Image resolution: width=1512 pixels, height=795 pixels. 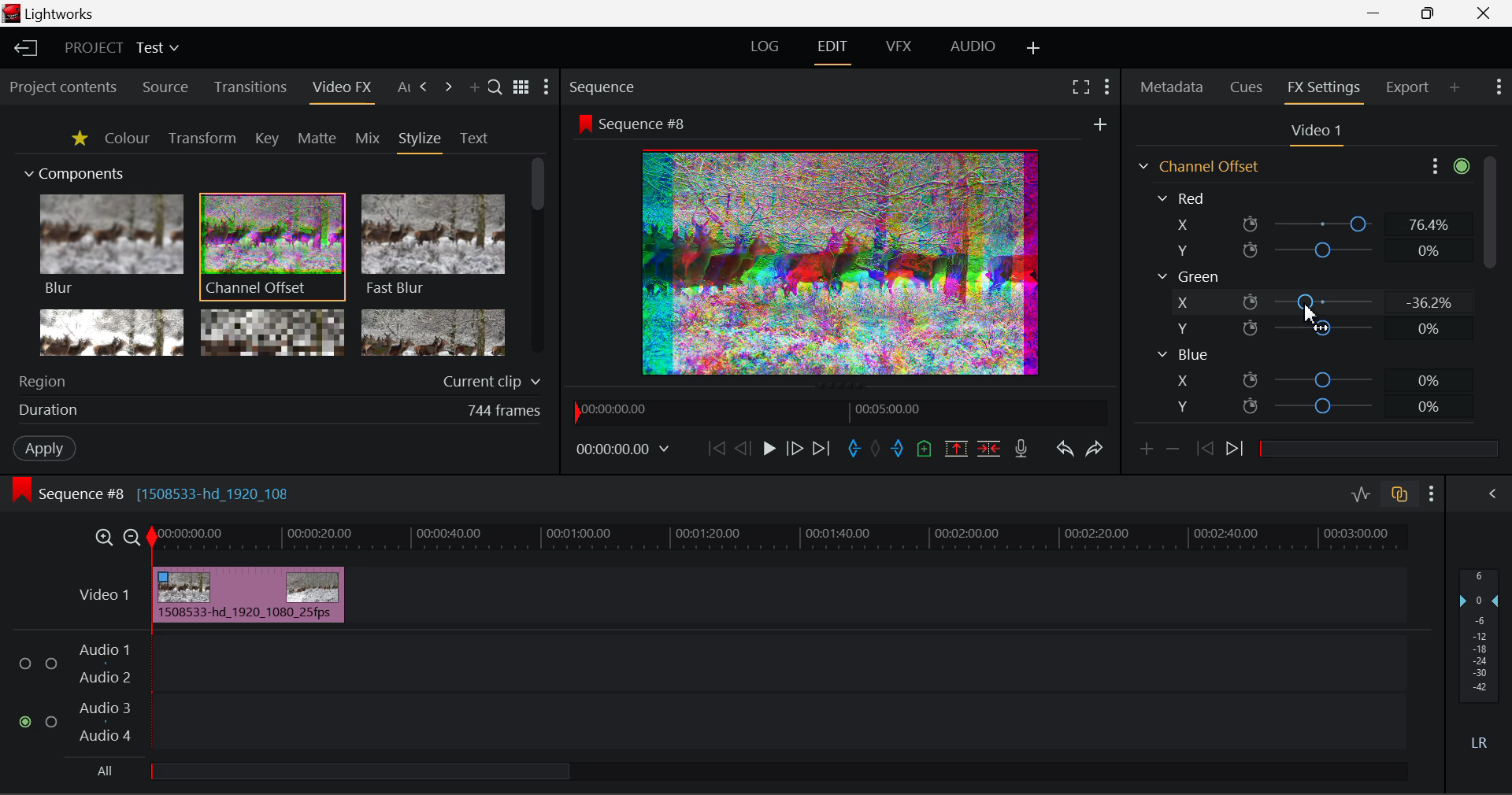 I want to click on Green X, so click(x=1310, y=301).